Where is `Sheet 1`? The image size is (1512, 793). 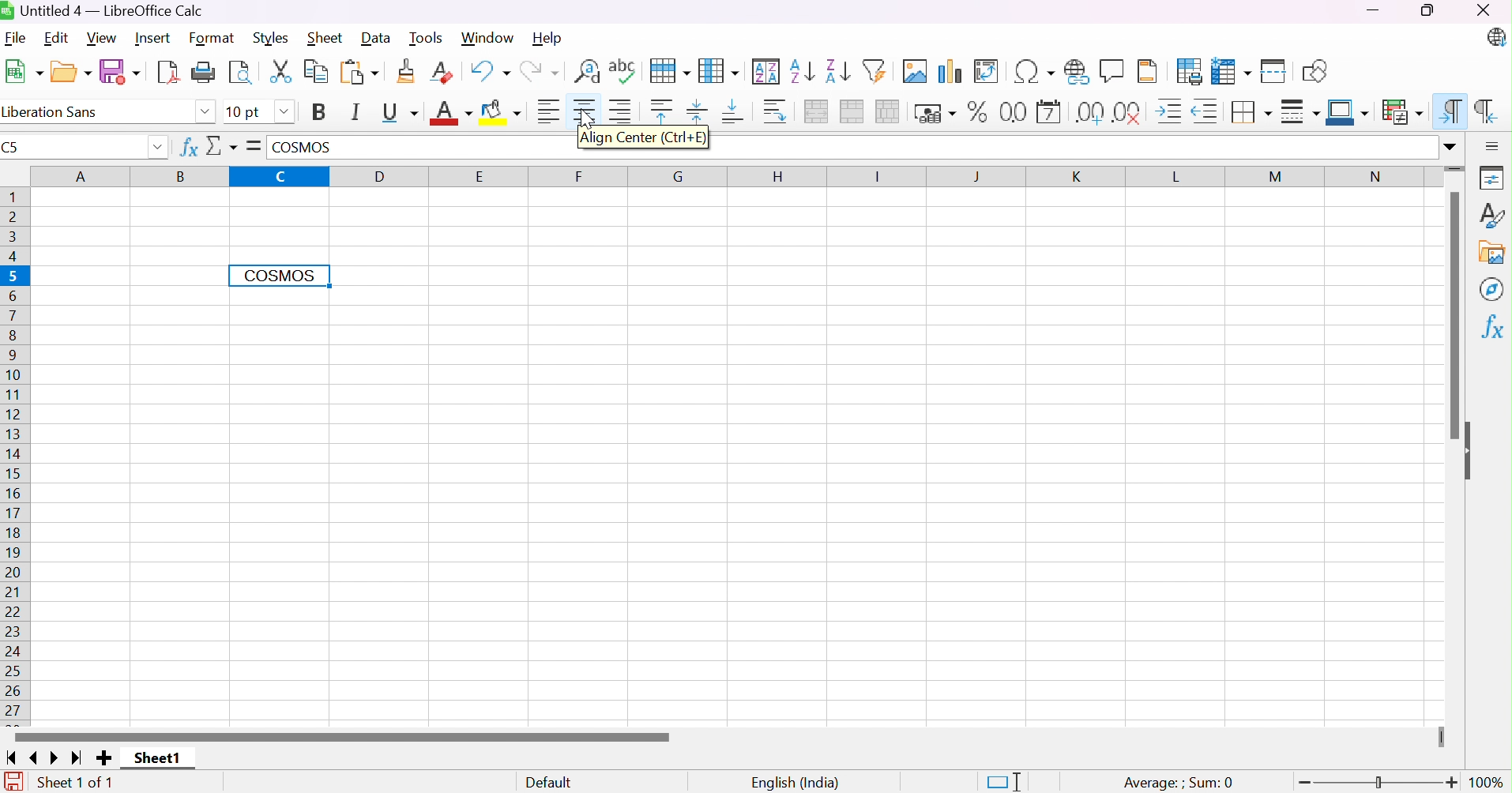 Sheet 1 is located at coordinates (158, 758).